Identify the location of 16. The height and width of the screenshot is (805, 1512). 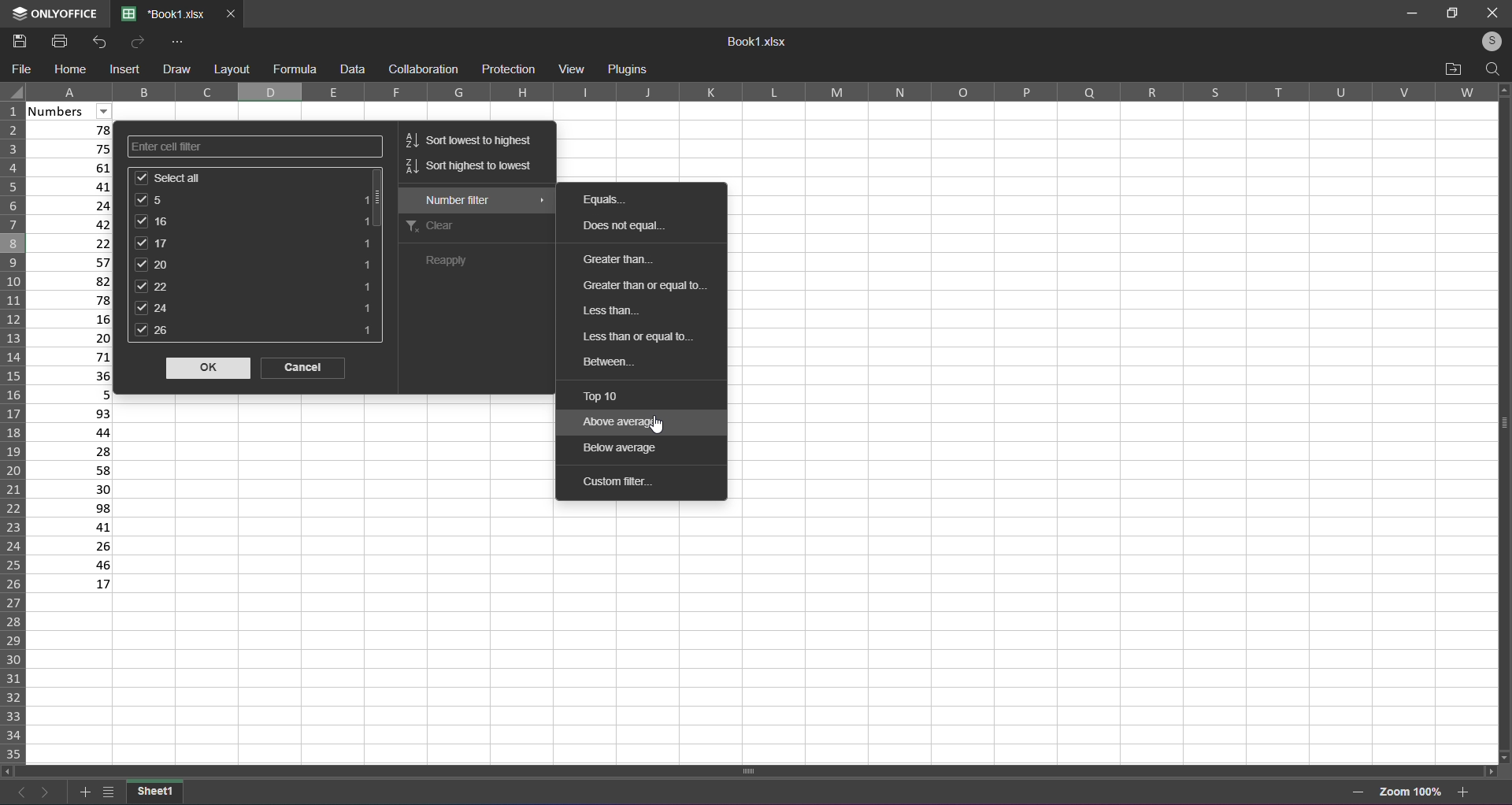
(254, 221).